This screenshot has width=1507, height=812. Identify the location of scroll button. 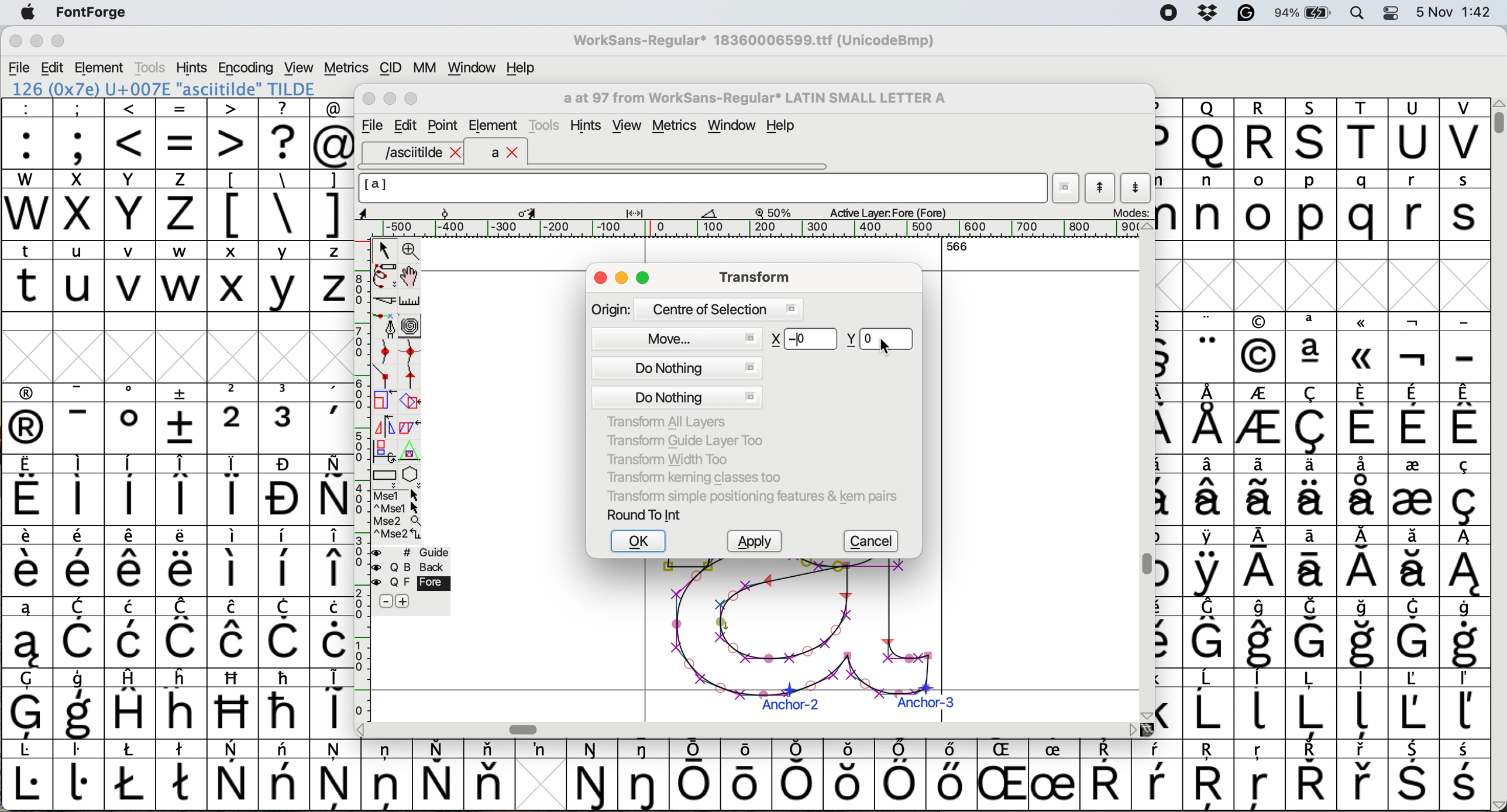
(1145, 714).